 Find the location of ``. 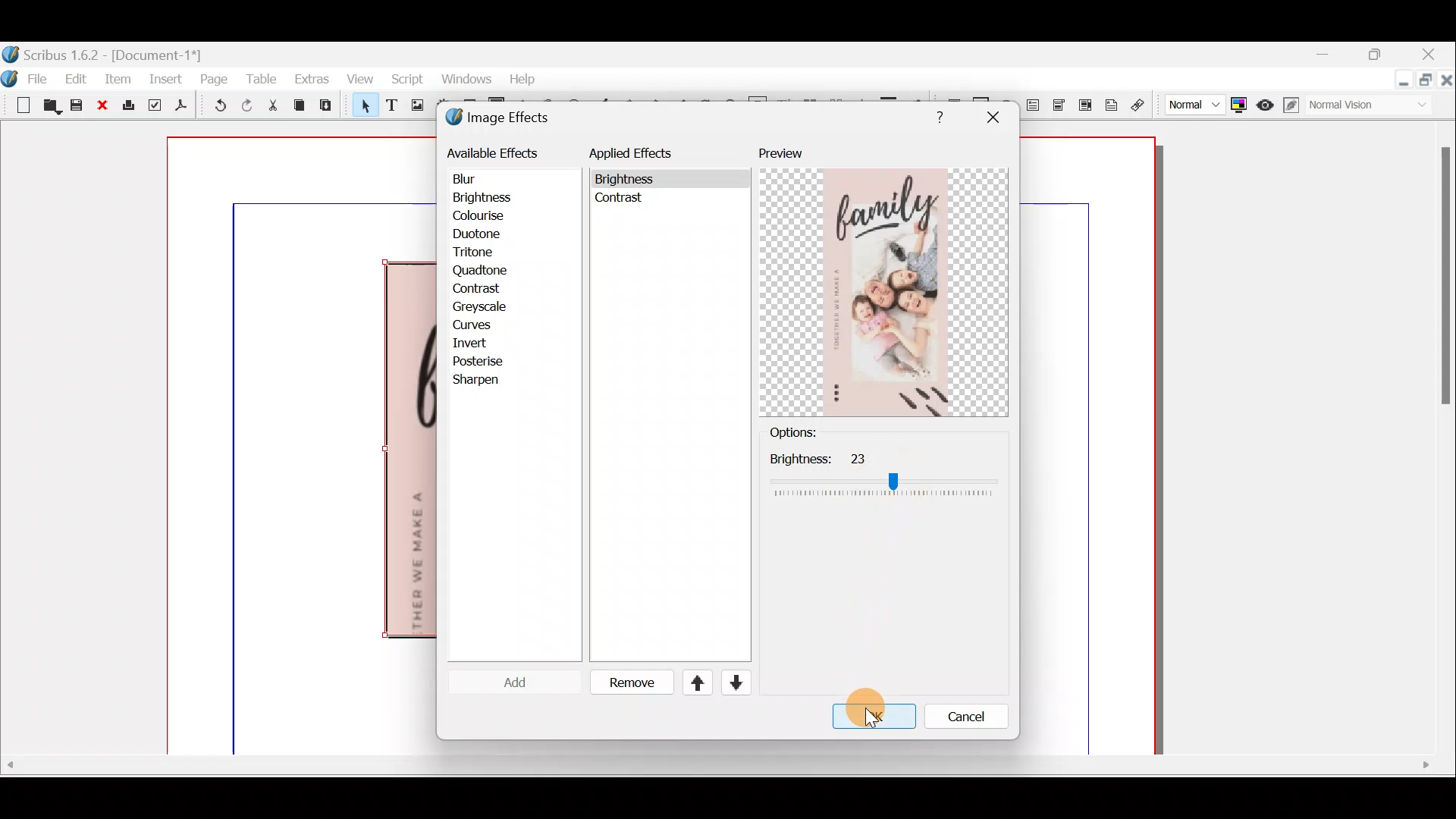

 is located at coordinates (936, 115).